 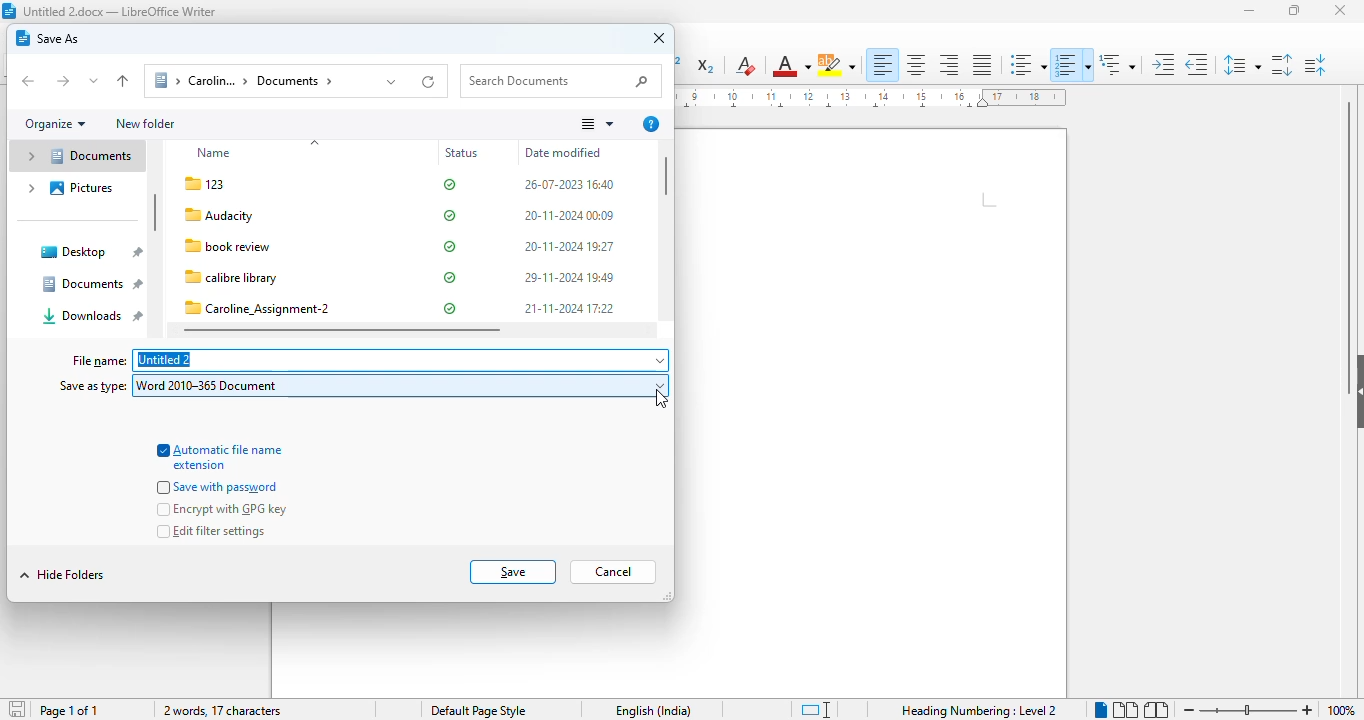 What do you see at coordinates (145, 123) in the screenshot?
I see `new folder` at bounding box center [145, 123].